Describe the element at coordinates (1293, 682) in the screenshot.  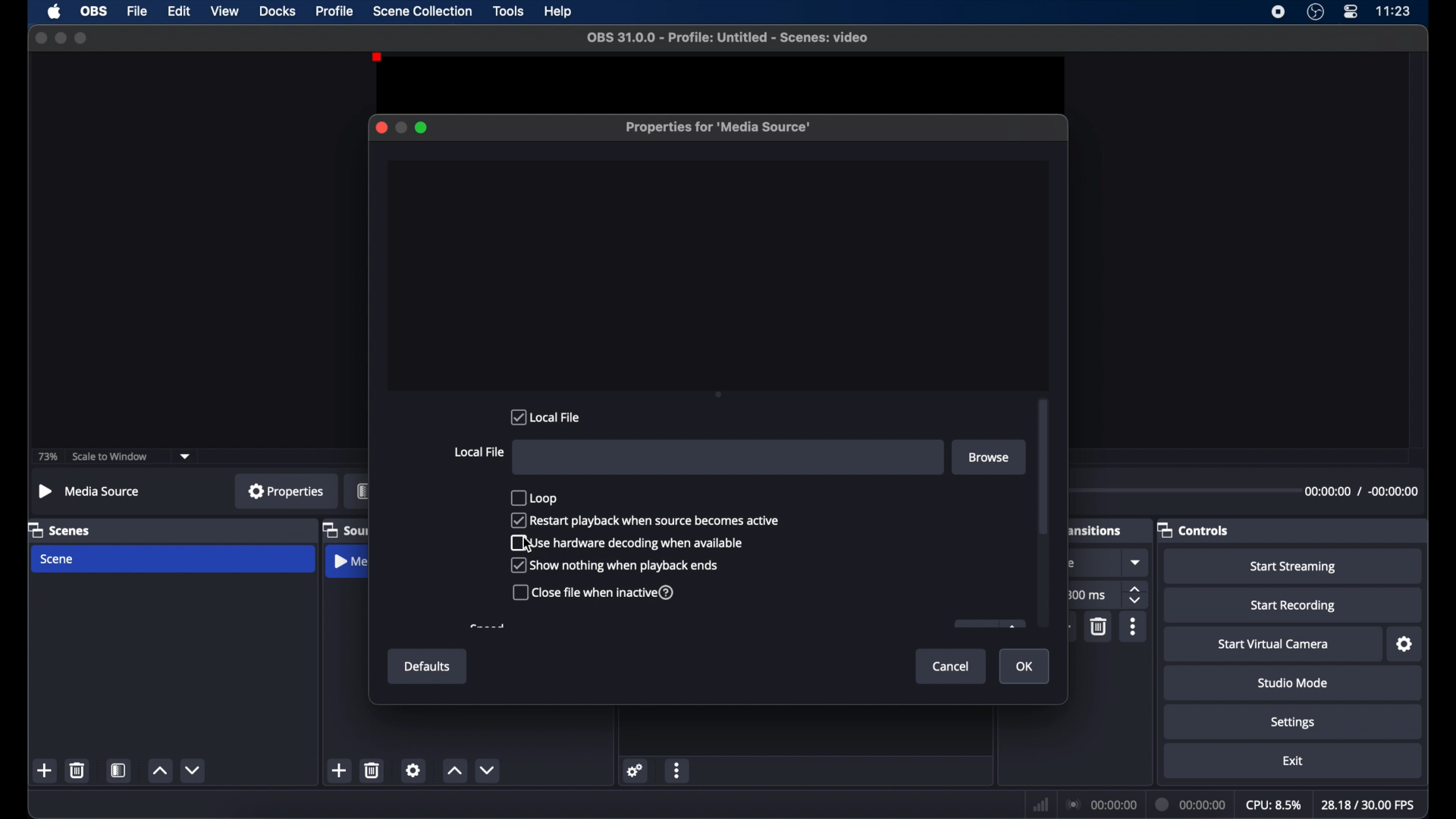
I see `studio  mode` at that location.